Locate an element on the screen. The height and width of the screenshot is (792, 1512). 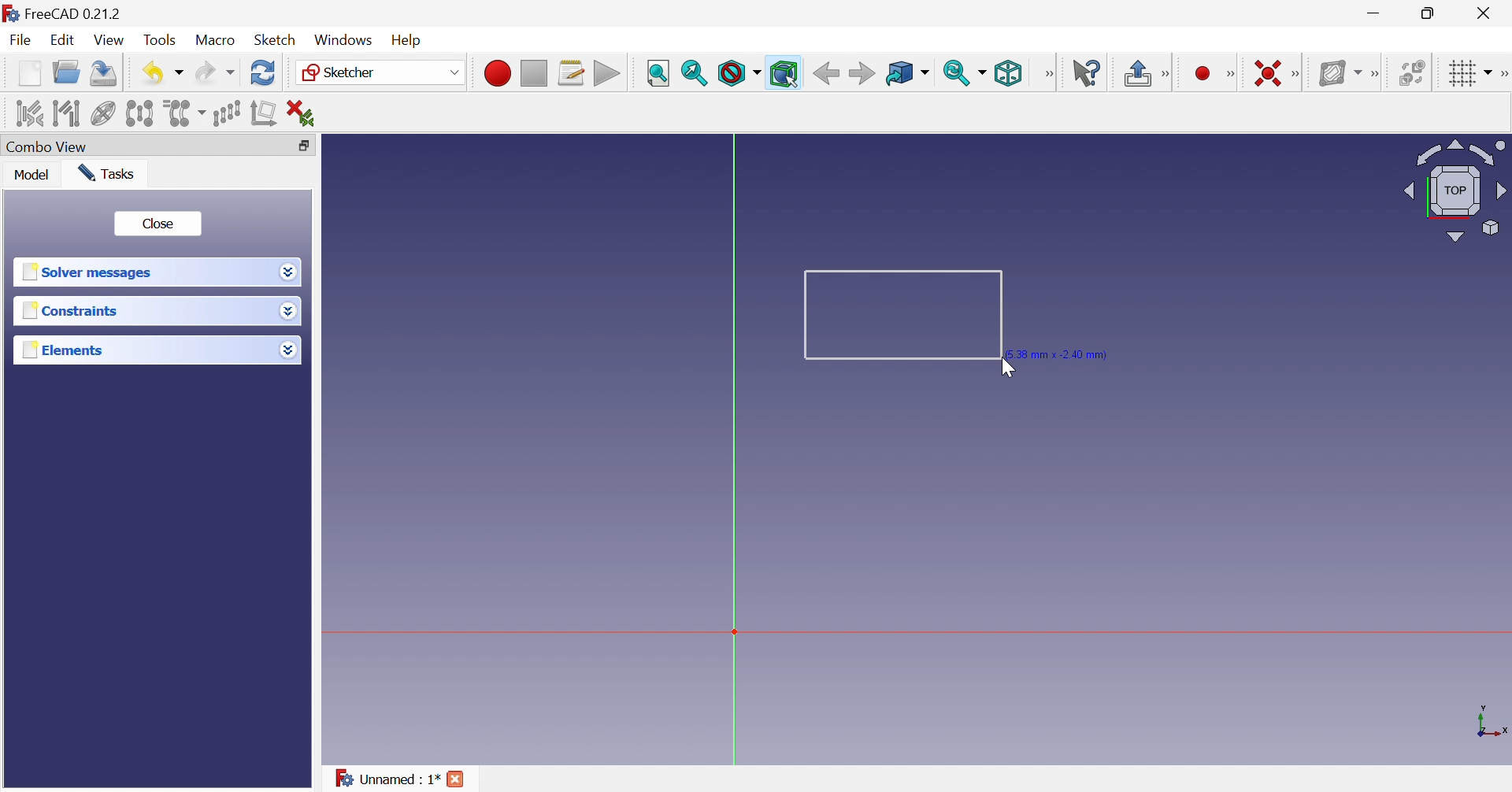
Minimize is located at coordinates (1379, 12).